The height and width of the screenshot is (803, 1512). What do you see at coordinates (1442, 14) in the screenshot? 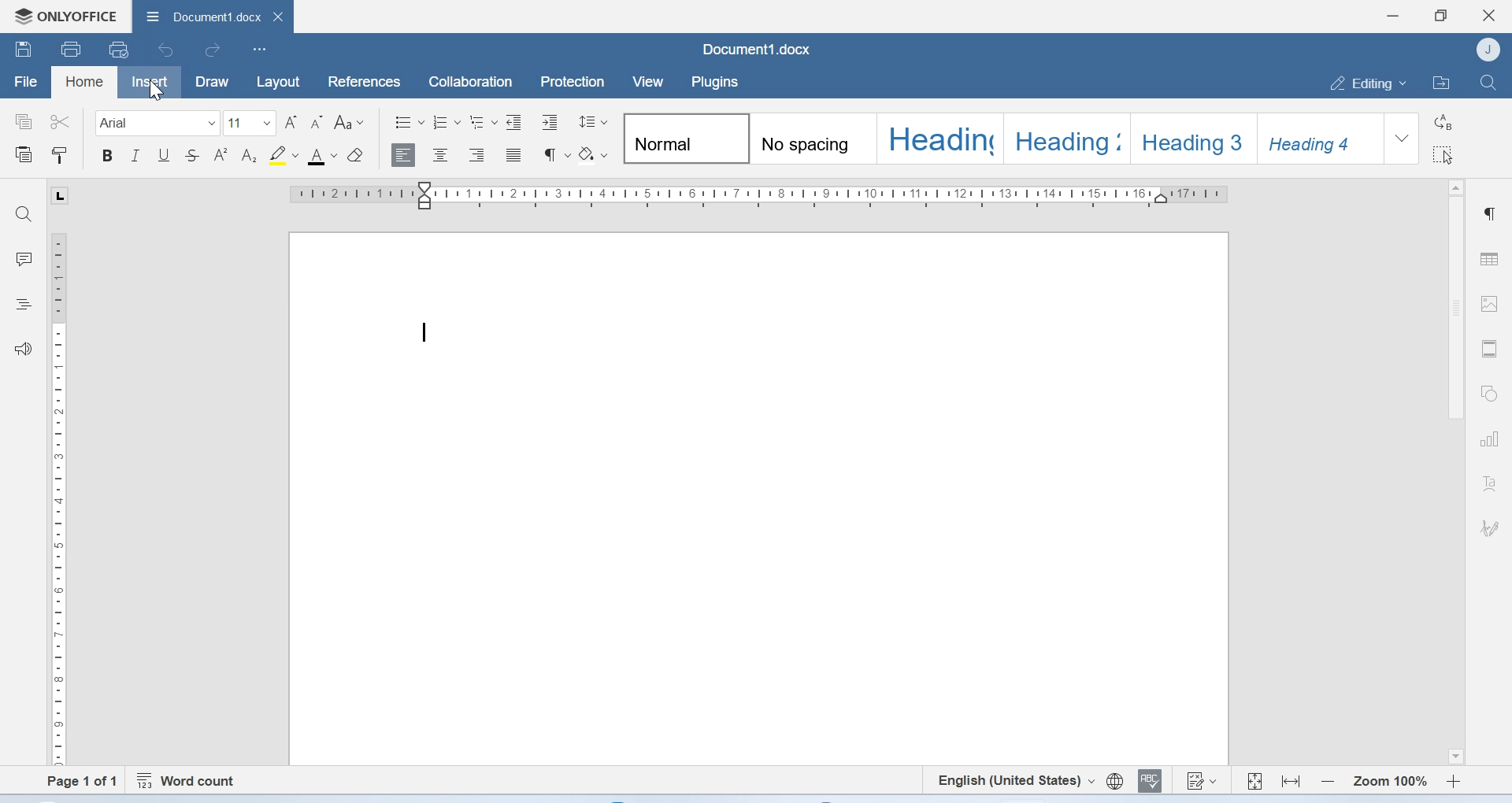
I see `Maximize` at bounding box center [1442, 14].